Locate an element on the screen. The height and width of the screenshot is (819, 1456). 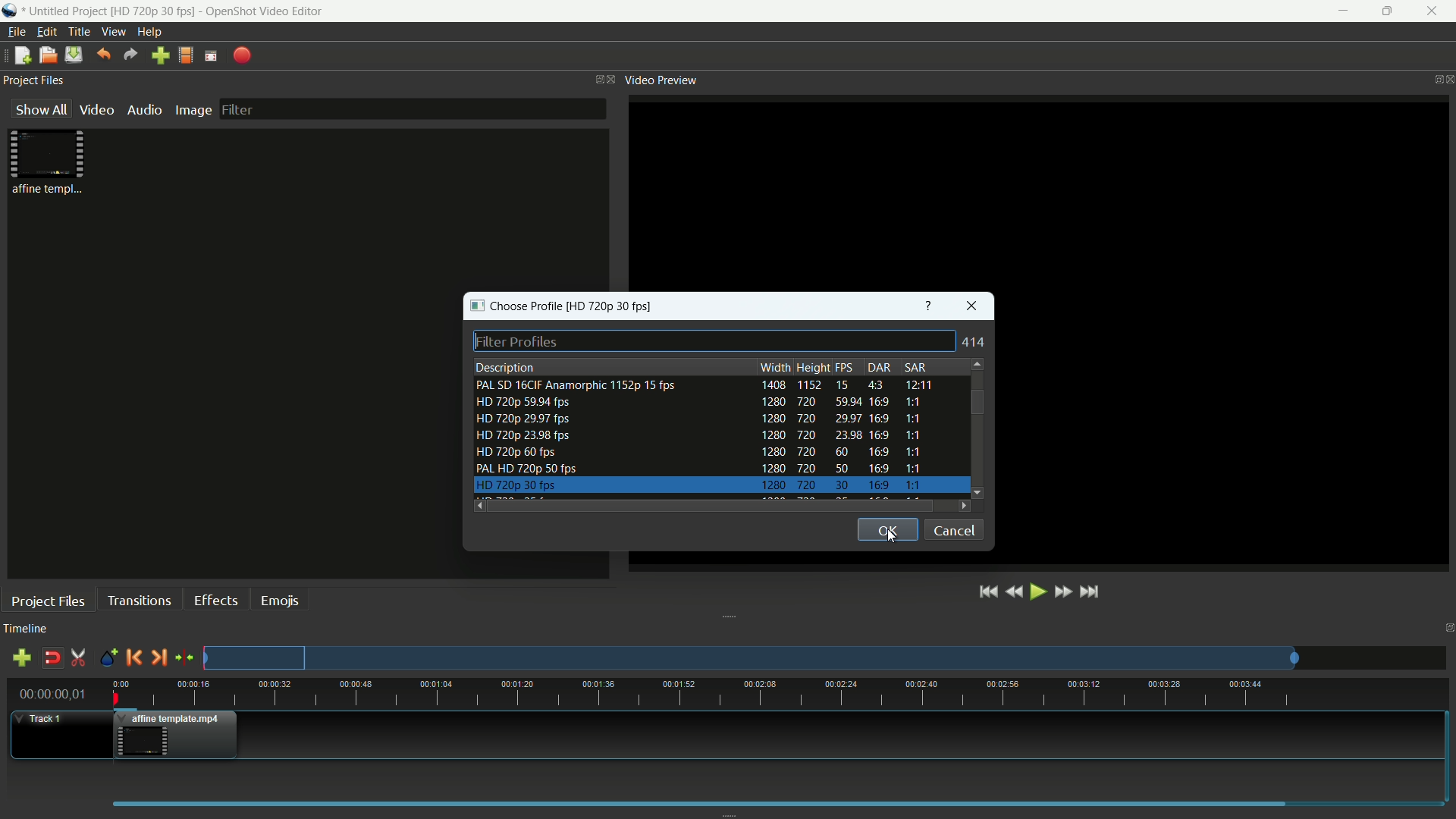
video preview is located at coordinates (661, 80).